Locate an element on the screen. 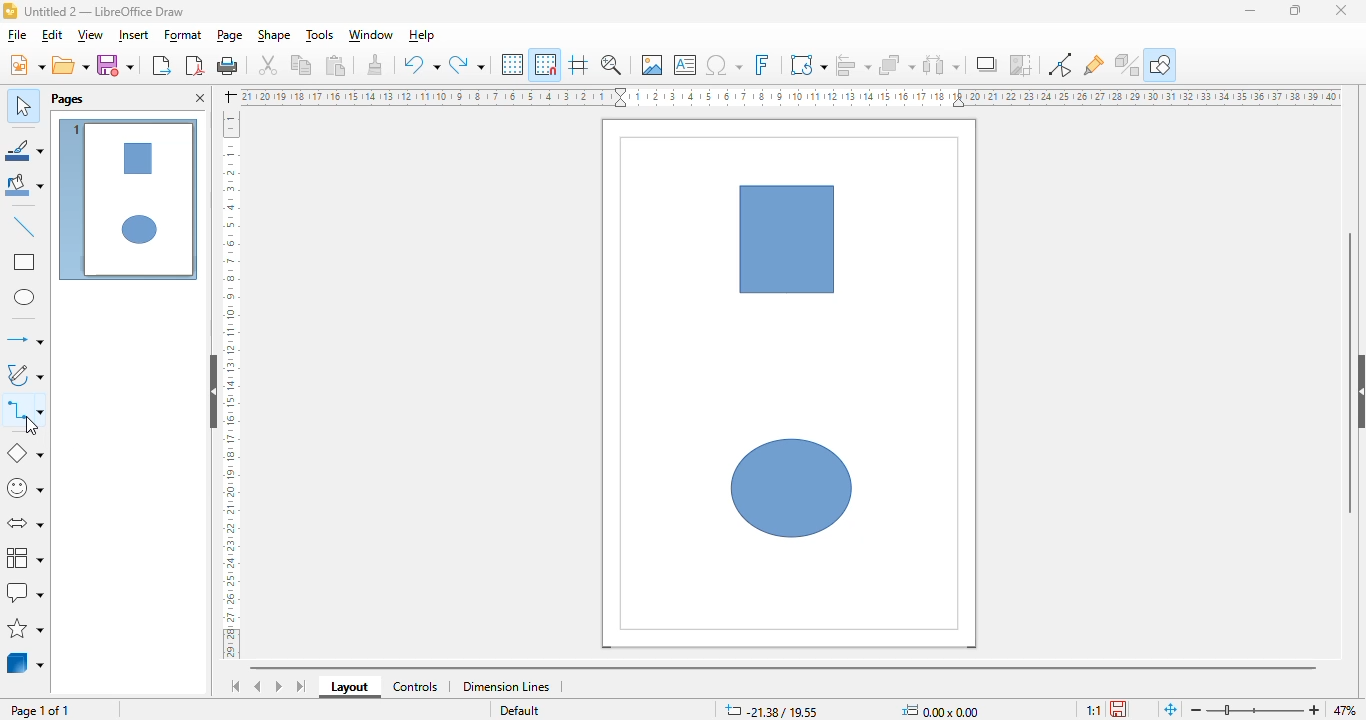  the document has been modified is located at coordinates (1120, 708).